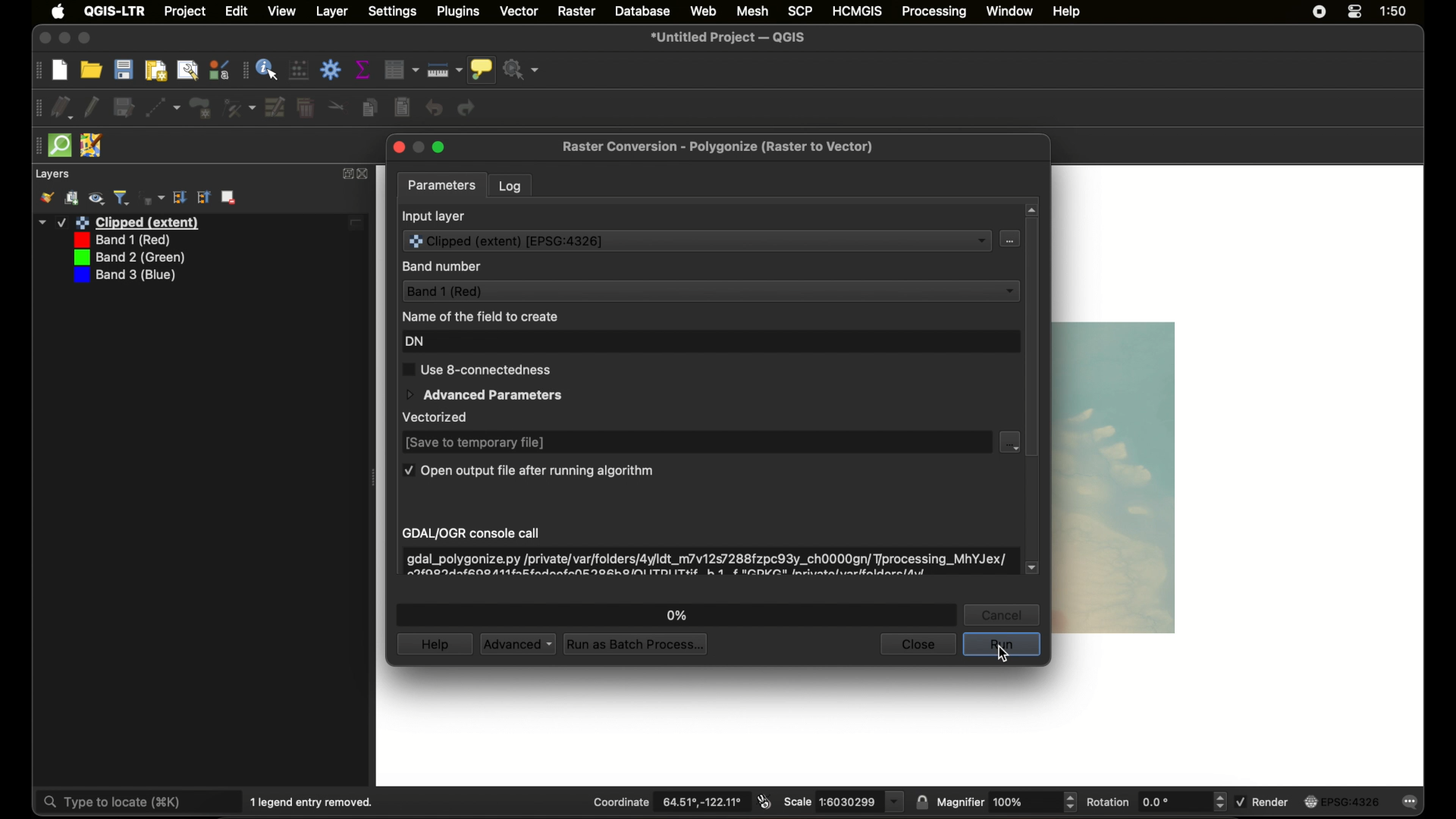 Image resolution: width=1456 pixels, height=819 pixels. What do you see at coordinates (122, 198) in the screenshot?
I see `filter legend` at bounding box center [122, 198].